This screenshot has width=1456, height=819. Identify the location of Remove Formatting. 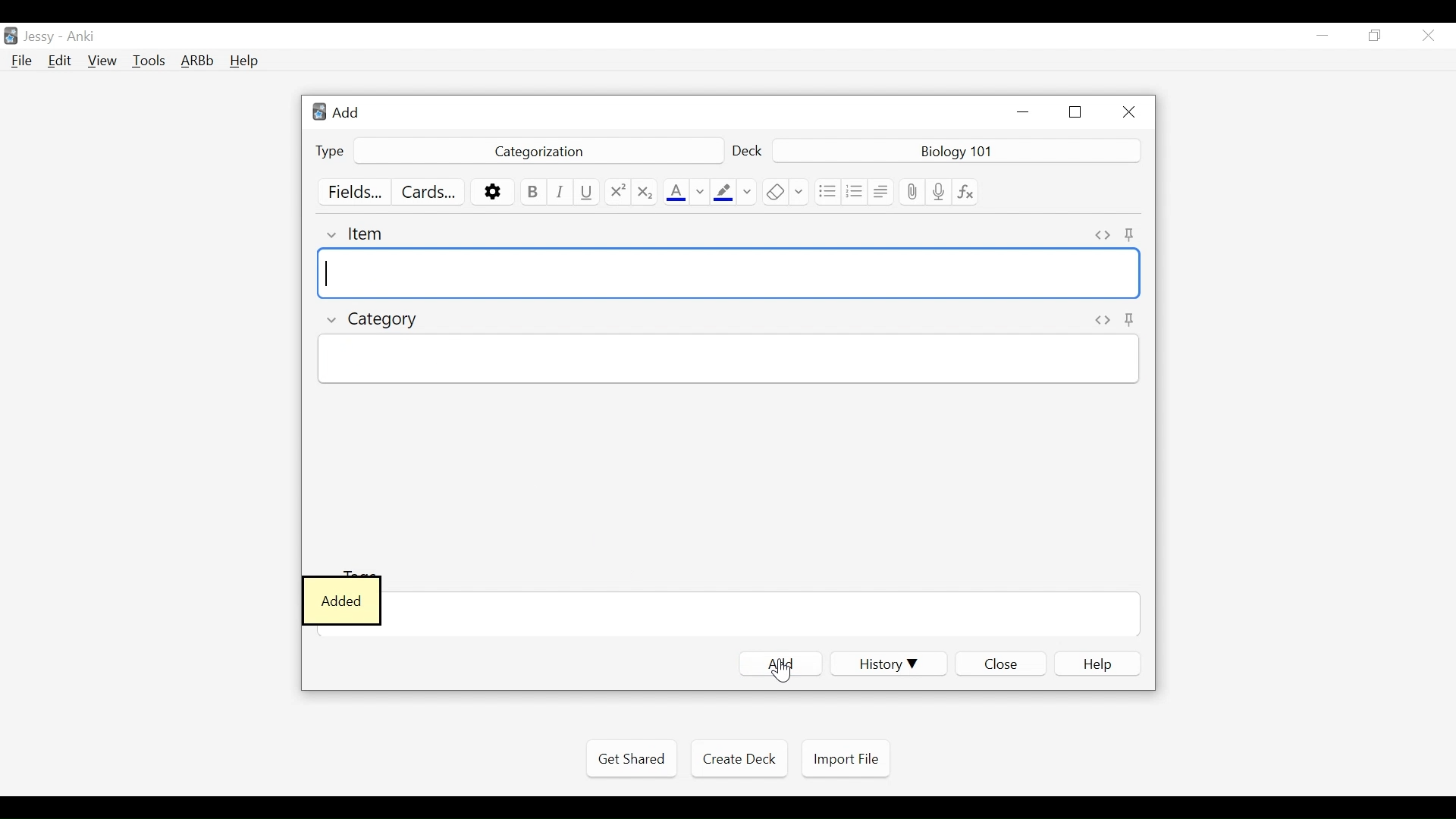
(786, 192).